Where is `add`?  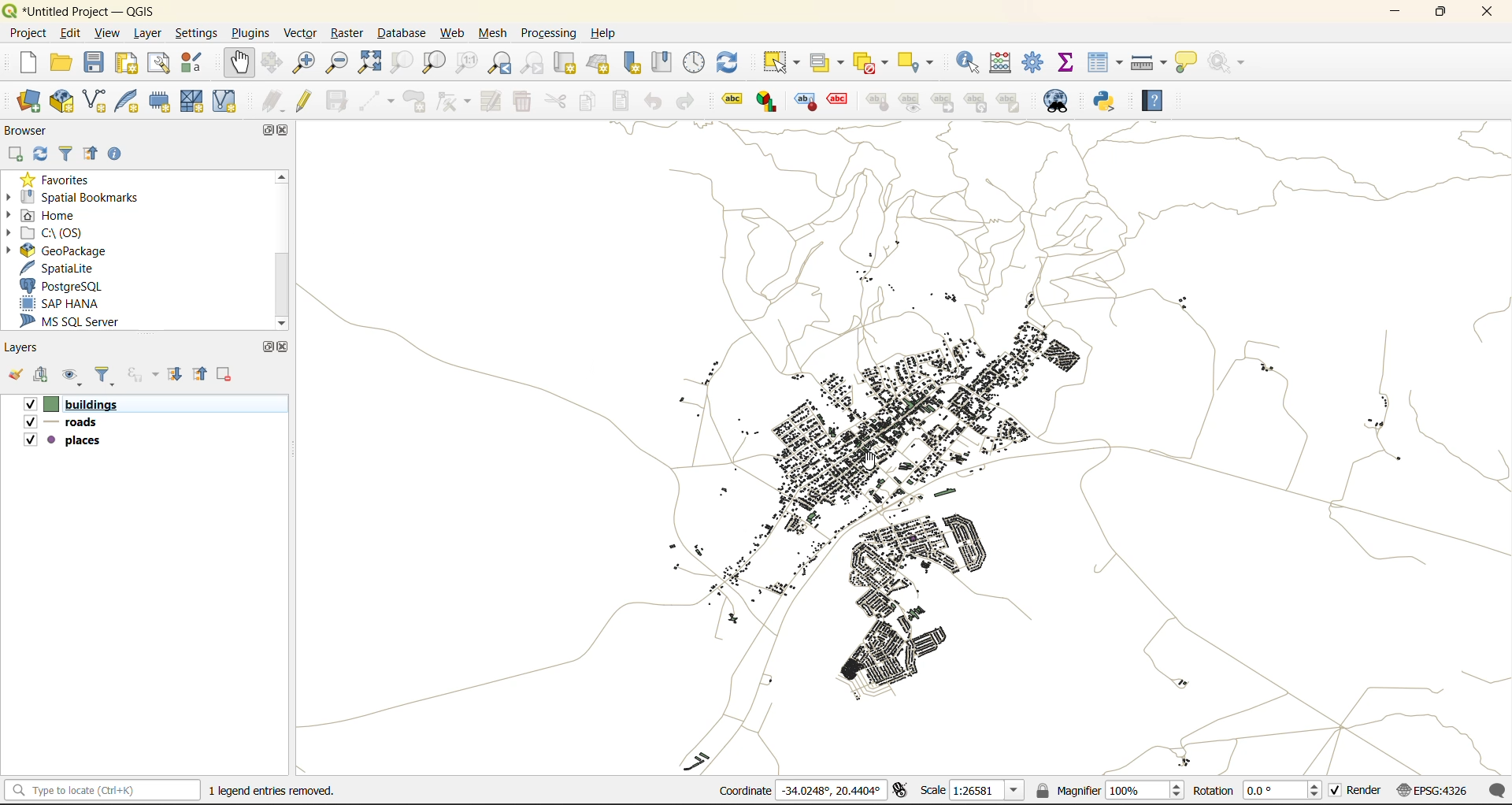 add is located at coordinates (13, 154).